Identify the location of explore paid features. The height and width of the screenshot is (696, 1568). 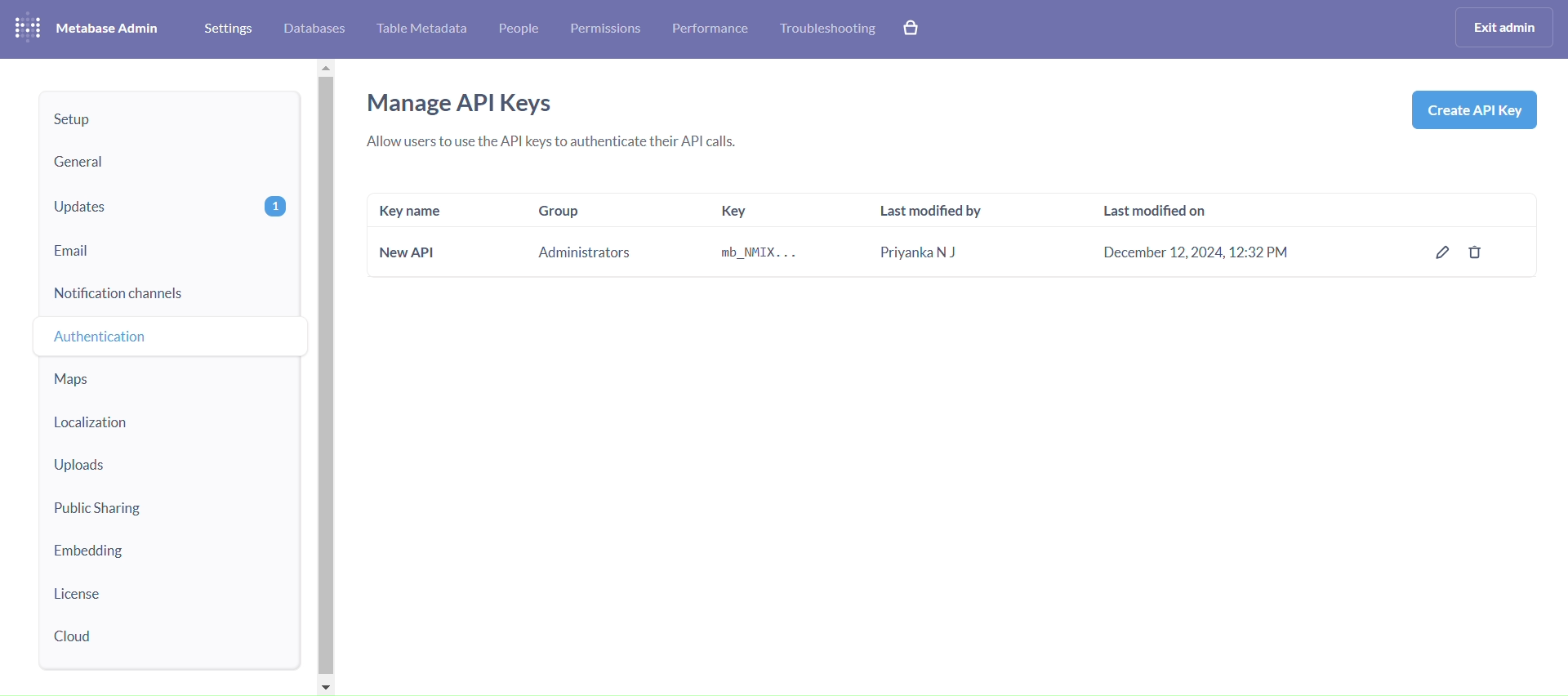
(915, 29).